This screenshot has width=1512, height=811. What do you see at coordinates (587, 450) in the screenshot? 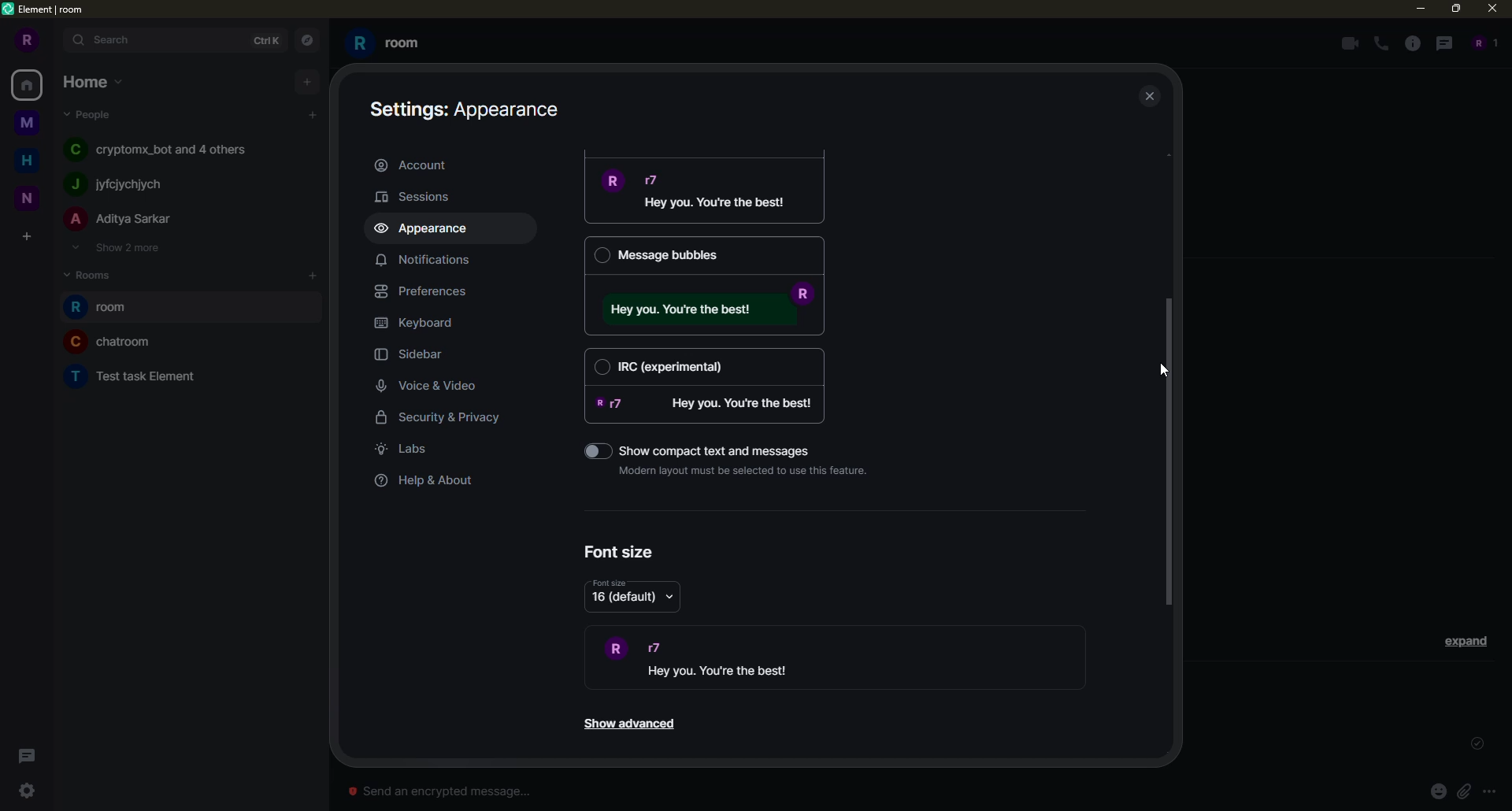
I see `toggle` at bounding box center [587, 450].